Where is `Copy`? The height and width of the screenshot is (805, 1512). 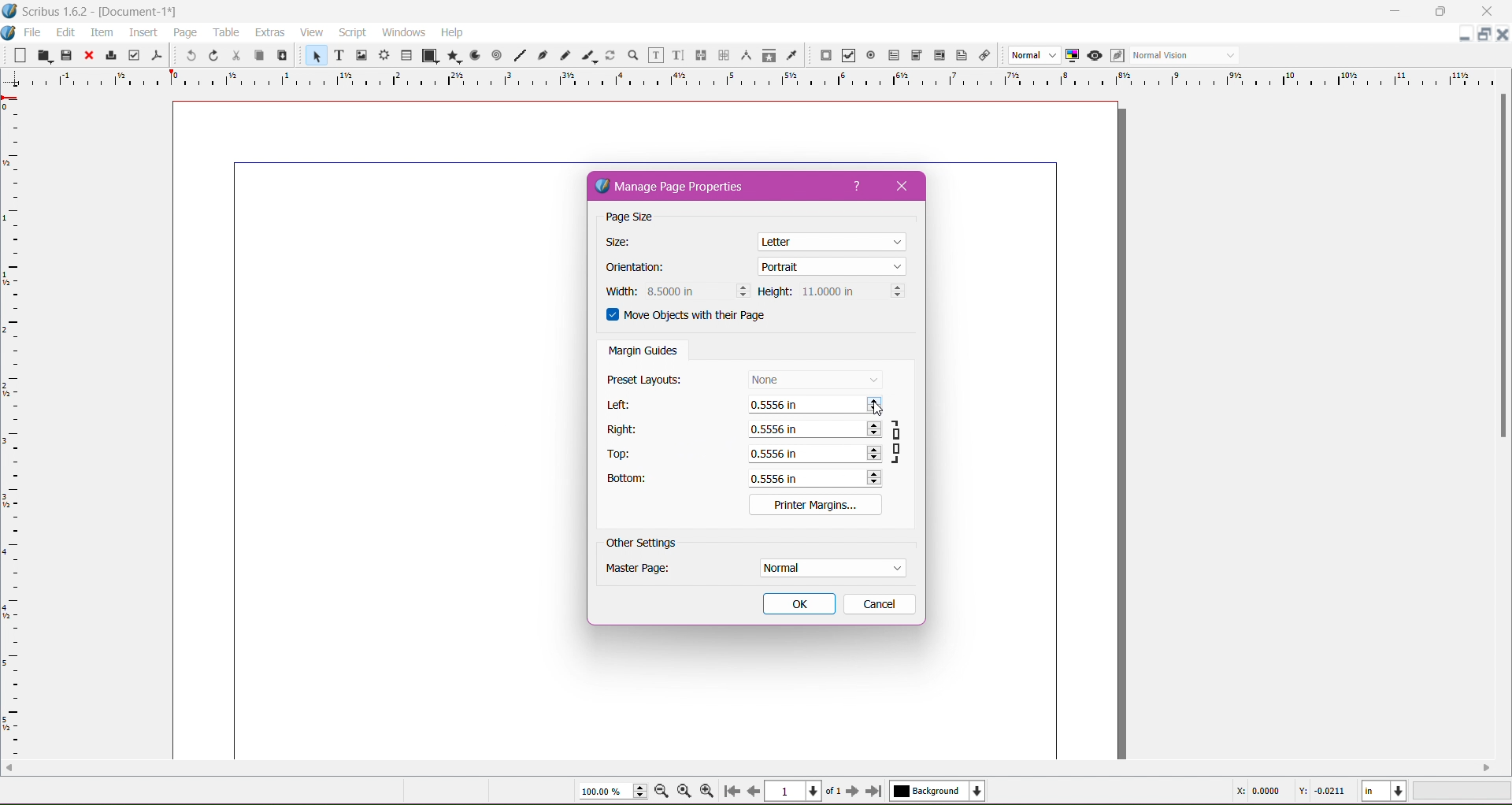 Copy is located at coordinates (258, 54).